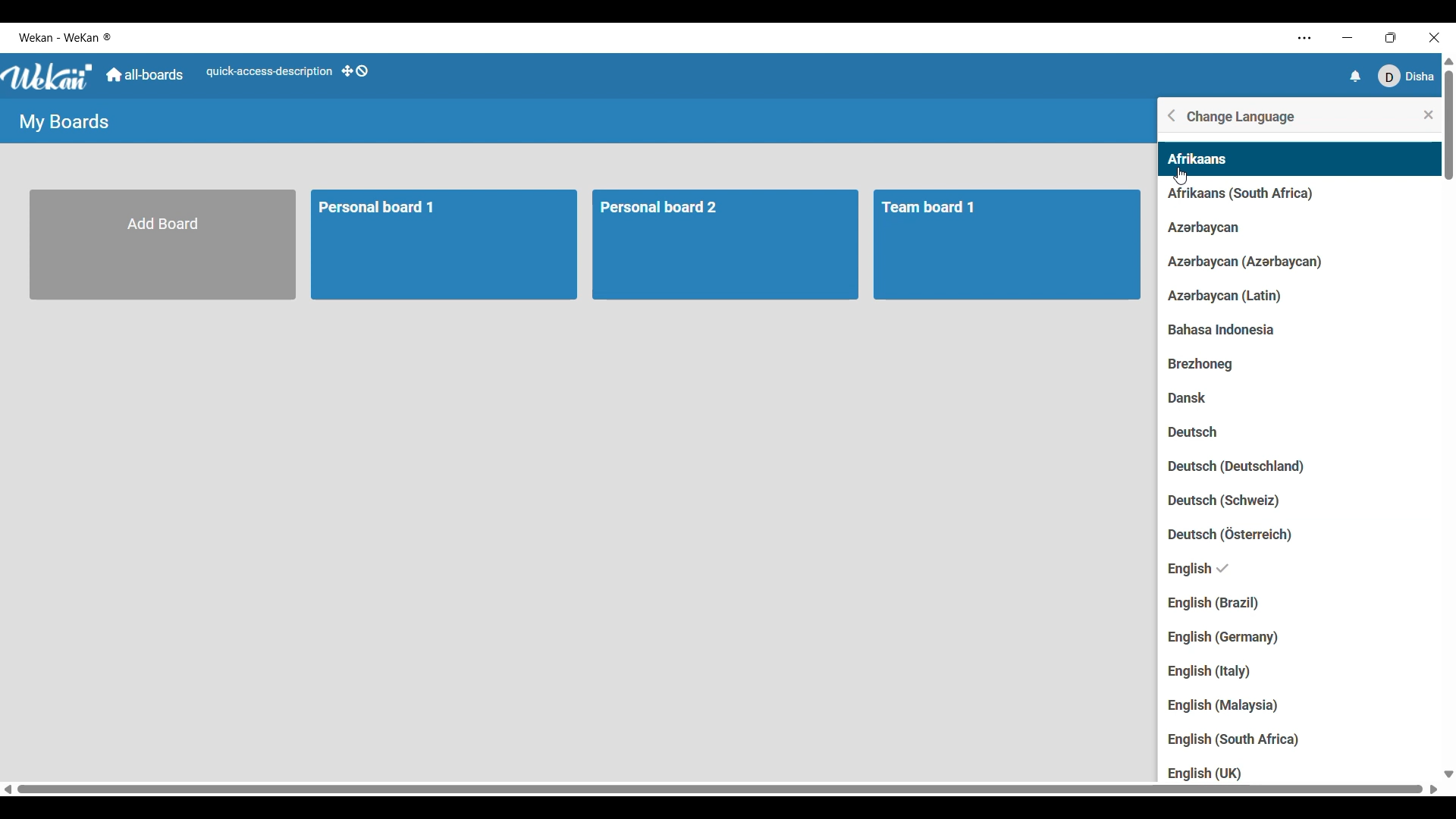 The width and height of the screenshot is (1456, 819). What do you see at coordinates (1210, 673) in the screenshot?
I see `English (Italy)` at bounding box center [1210, 673].